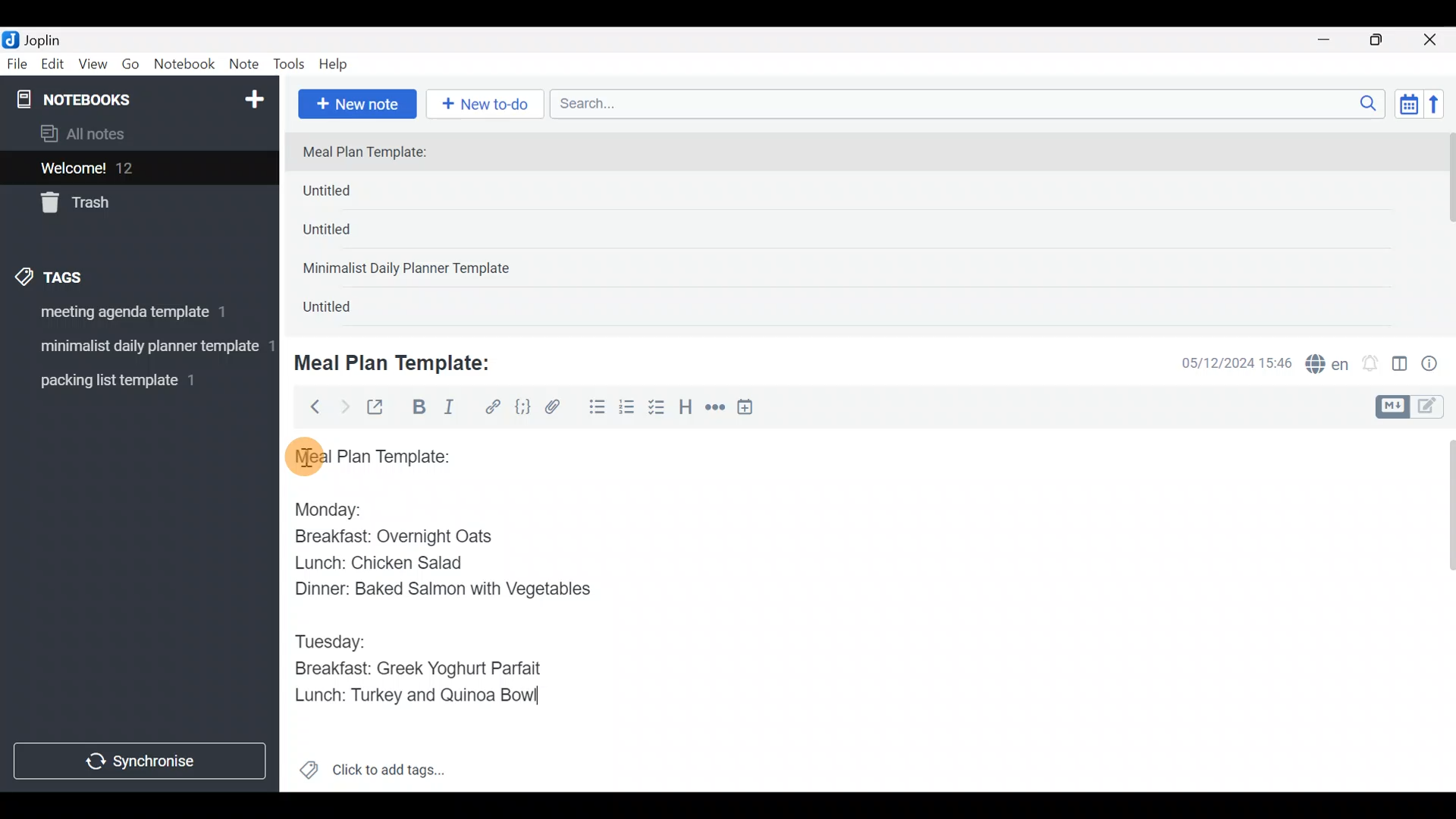 This screenshot has width=1456, height=819. What do you see at coordinates (1436, 365) in the screenshot?
I see `Note properties` at bounding box center [1436, 365].